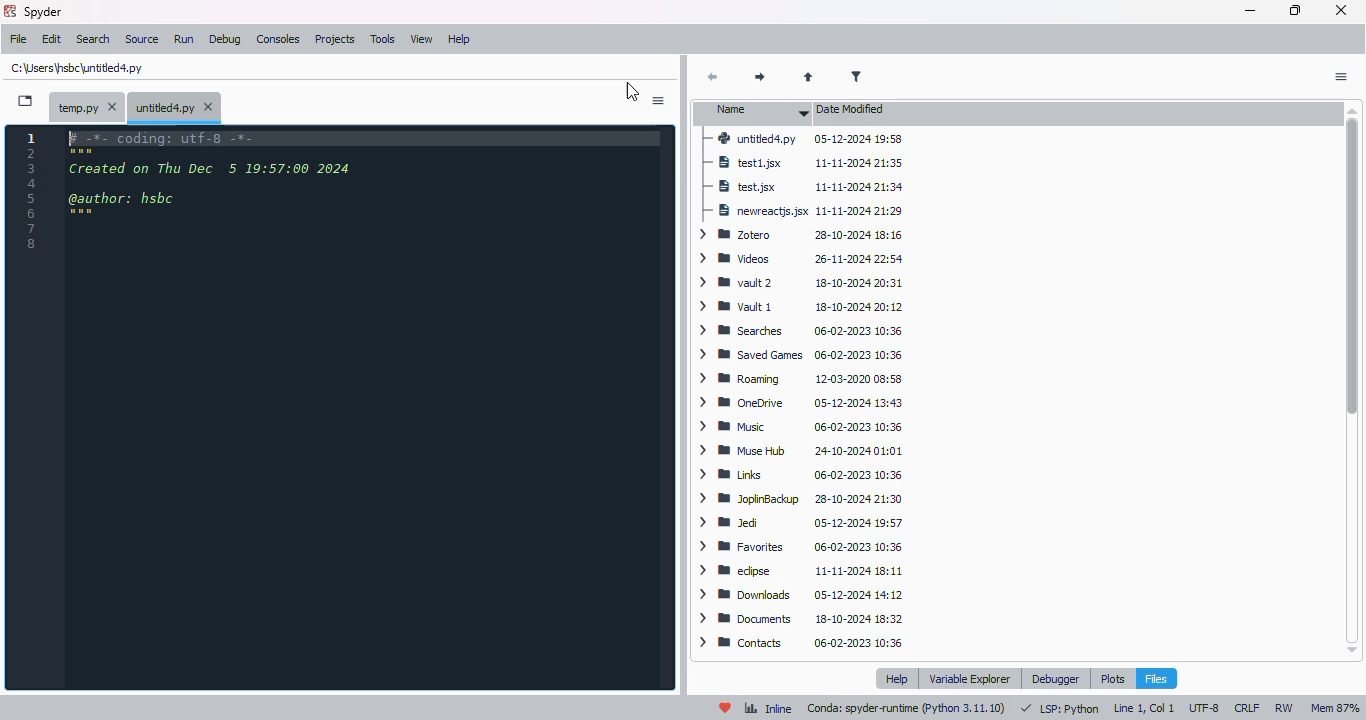 The width and height of the screenshot is (1366, 720). Describe the element at coordinates (804, 551) in the screenshot. I see `JoplinBackup` at that location.